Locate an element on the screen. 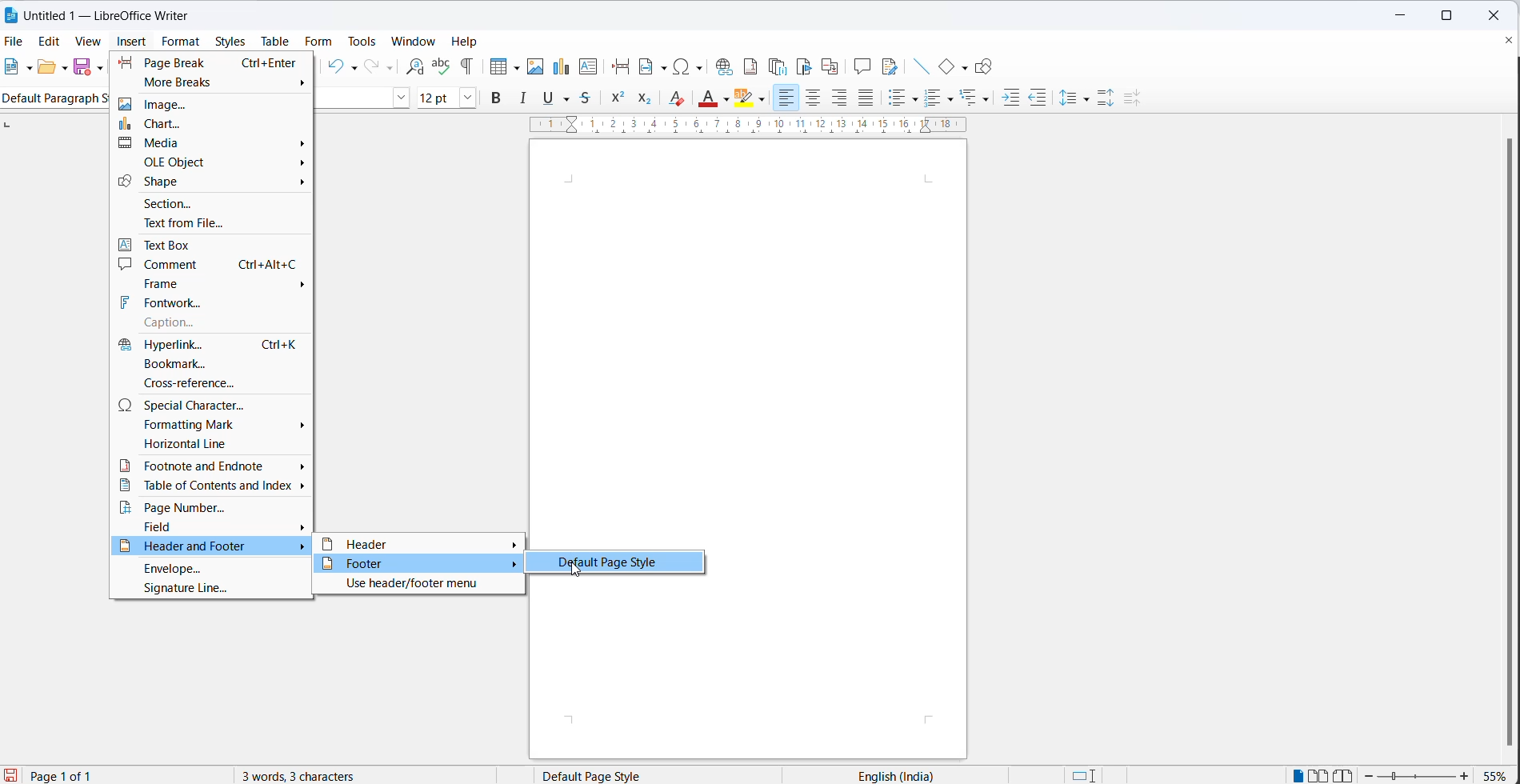 The width and height of the screenshot is (1520, 784). insert bookmark is located at coordinates (802, 66).